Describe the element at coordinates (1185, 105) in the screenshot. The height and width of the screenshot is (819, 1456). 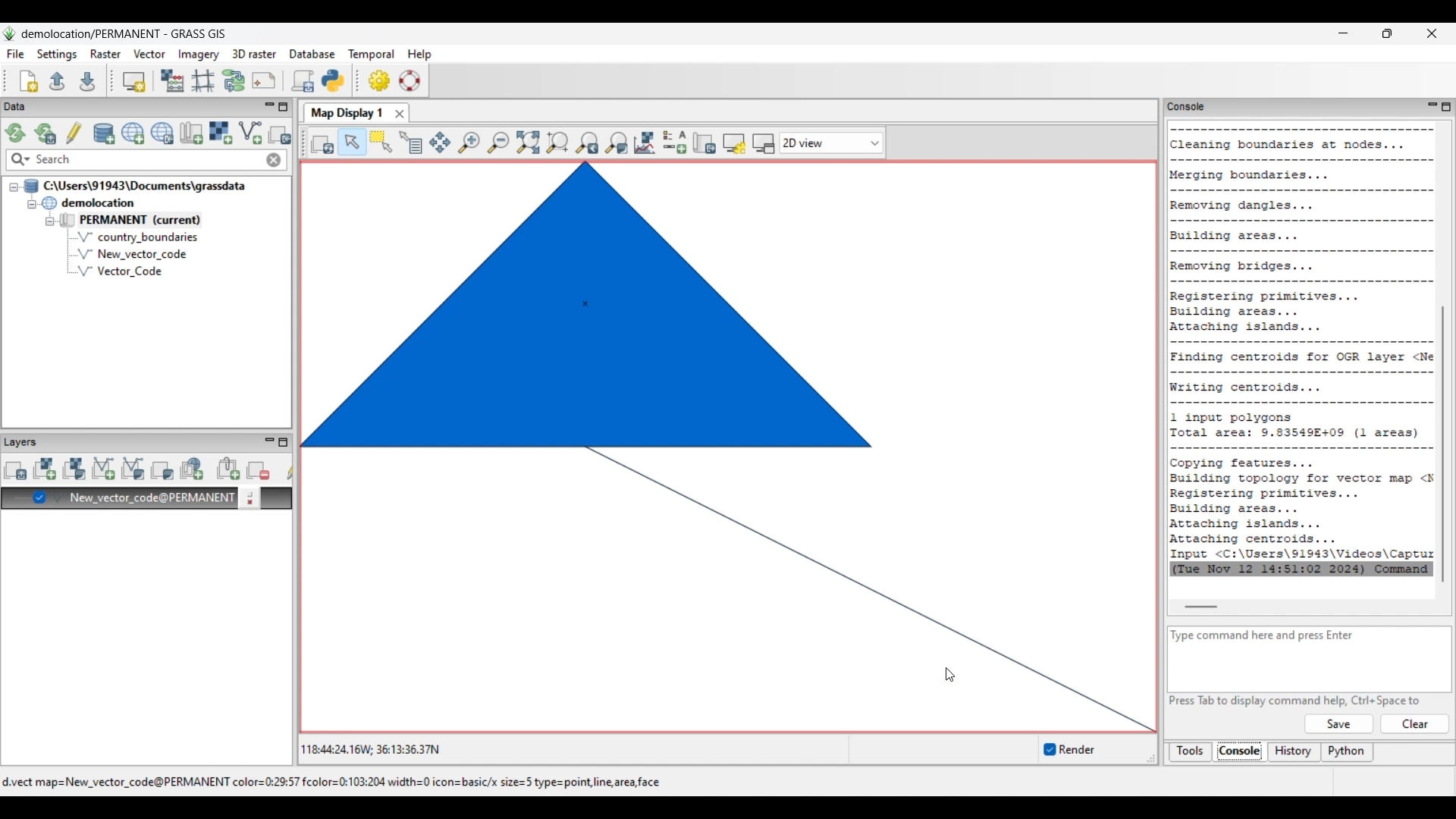
I see `tools` at that location.